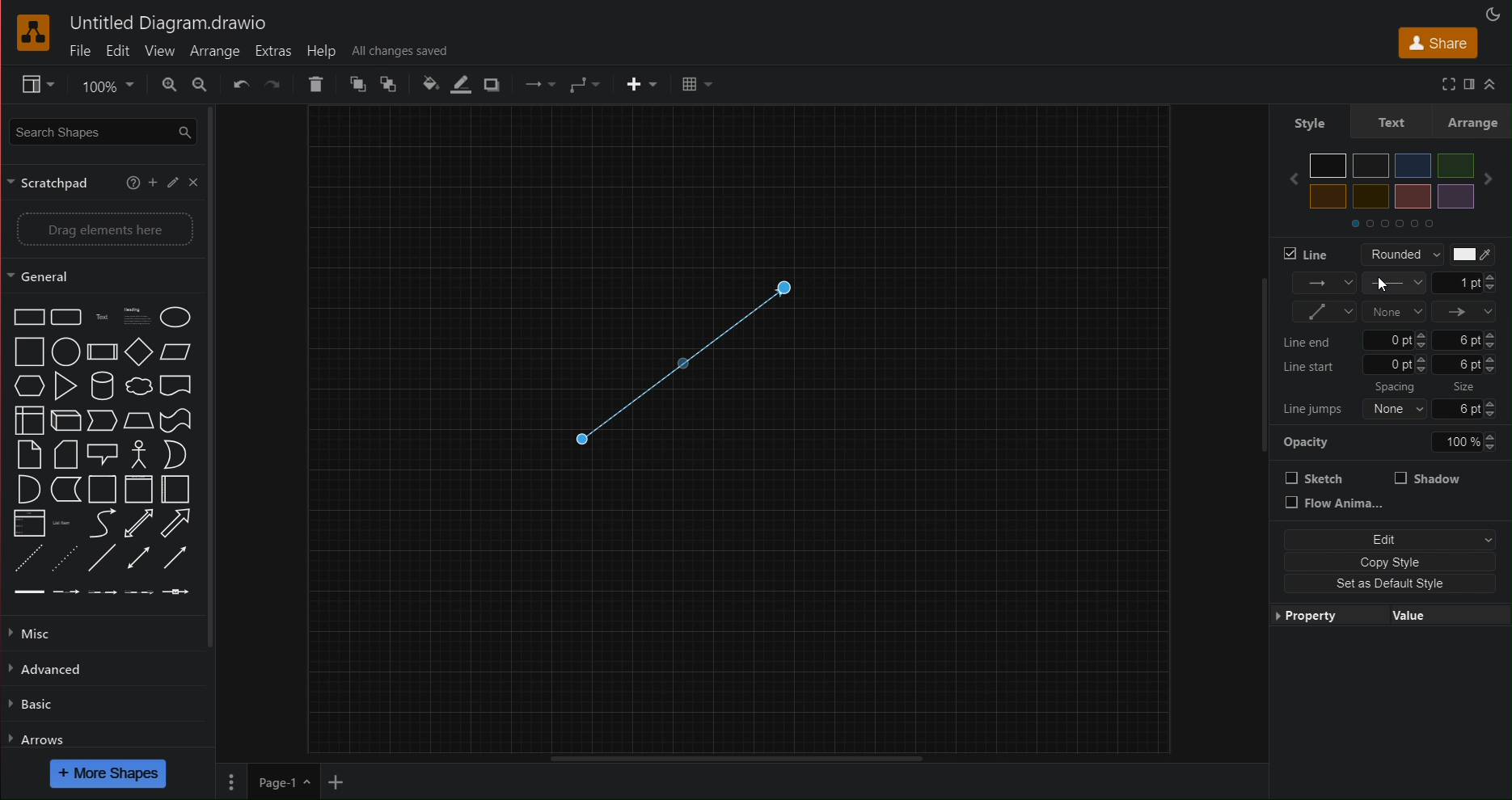 The image size is (1512, 800). Describe the element at coordinates (640, 84) in the screenshot. I see `Insert` at that location.